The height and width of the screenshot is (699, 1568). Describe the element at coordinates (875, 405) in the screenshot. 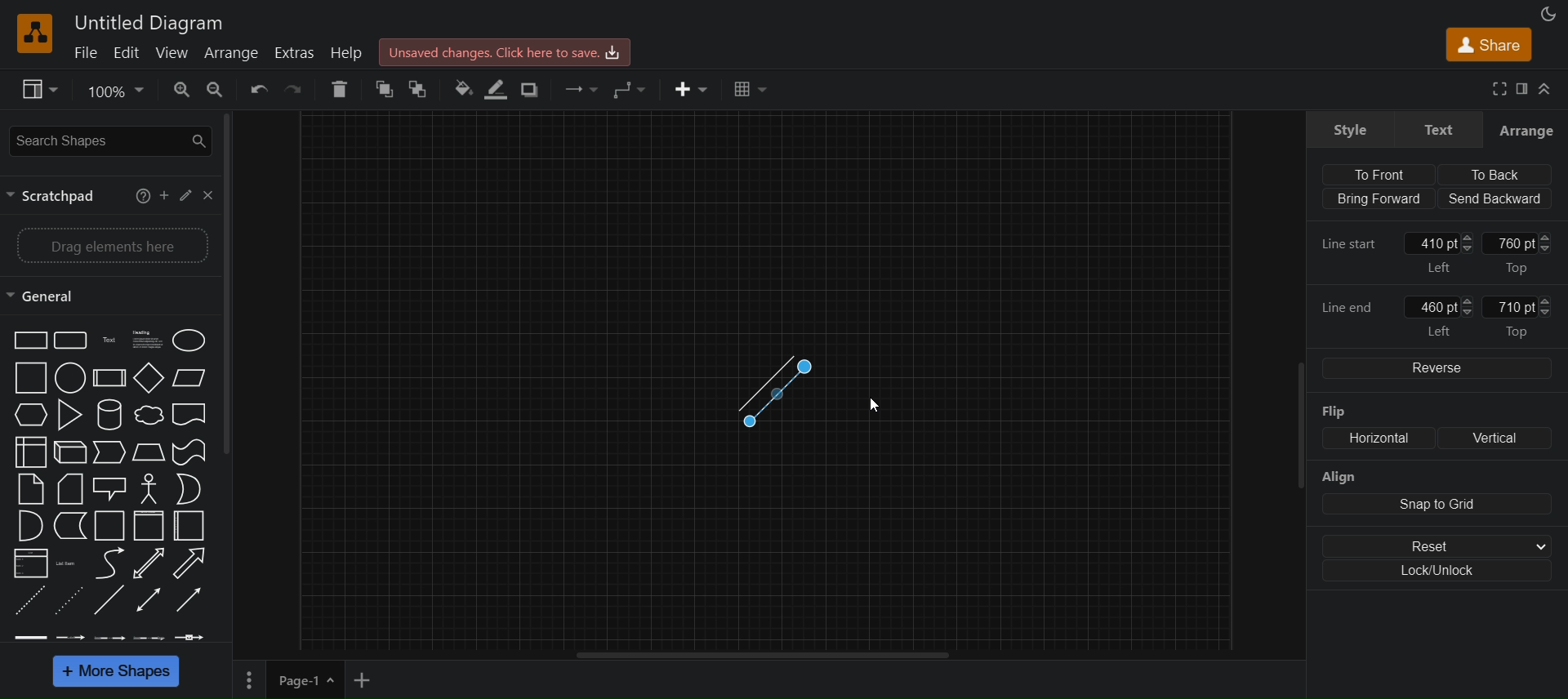

I see `cursor` at that location.